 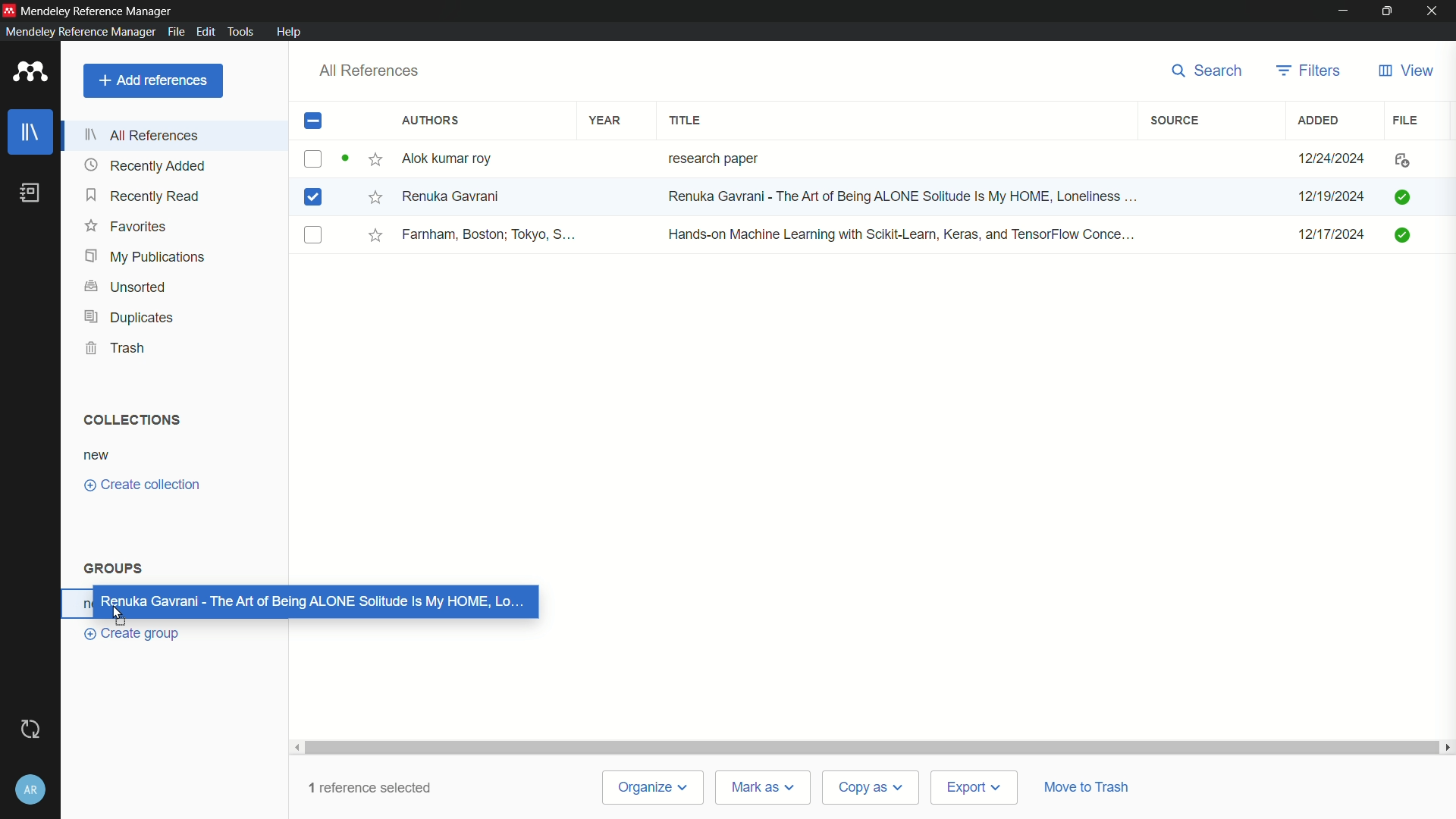 What do you see at coordinates (1174, 121) in the screenshot?
I see `source` at bounding box center [1174, 121].